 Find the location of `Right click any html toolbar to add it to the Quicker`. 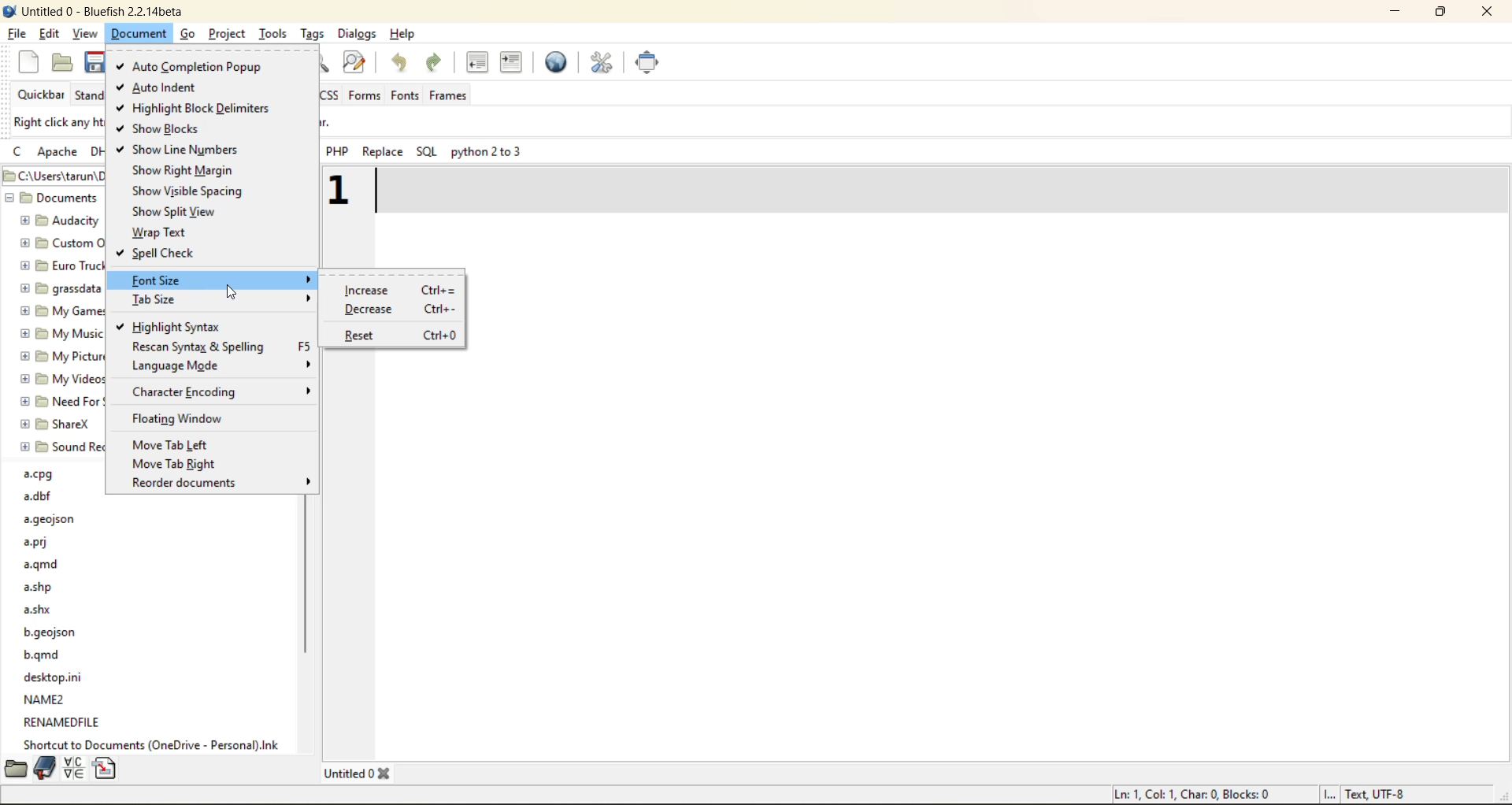

Right click any html toolbar to add it to the Quicker is located at coordinates (56, 121).